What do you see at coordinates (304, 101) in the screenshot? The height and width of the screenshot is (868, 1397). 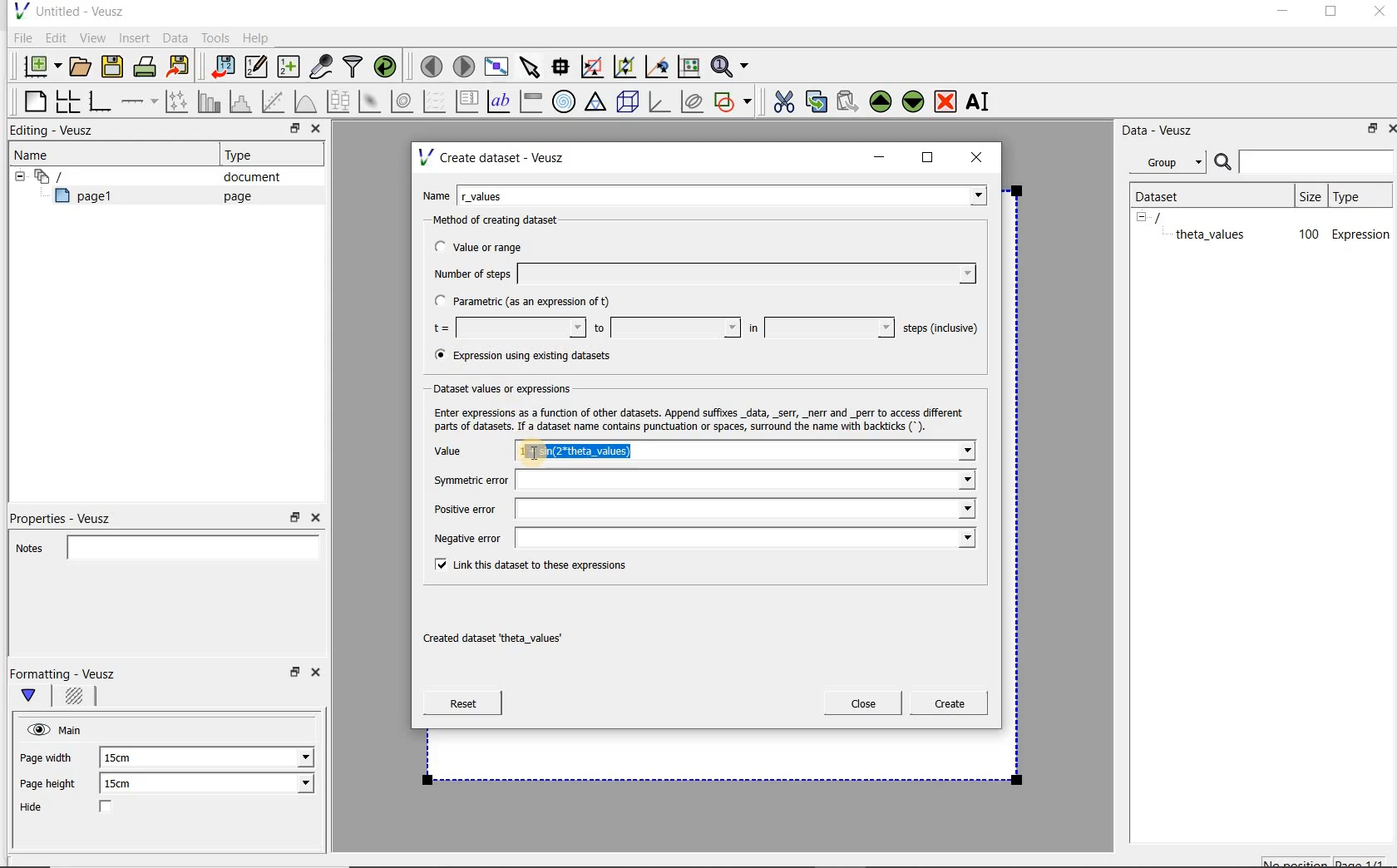 I see `plot a function` at bounding box center [304, 101].